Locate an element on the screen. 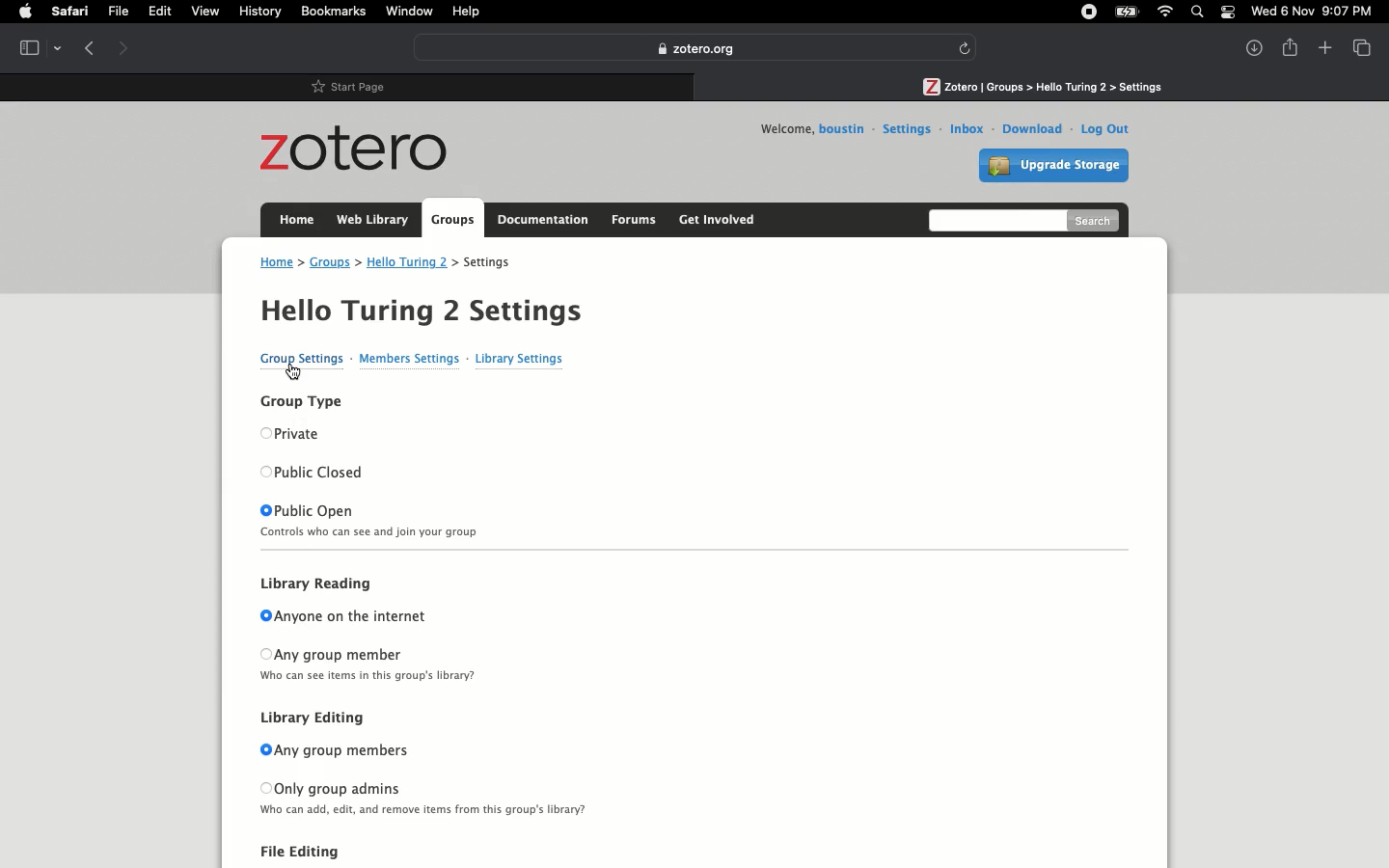  Charge is located at coordinates (1123, 12).